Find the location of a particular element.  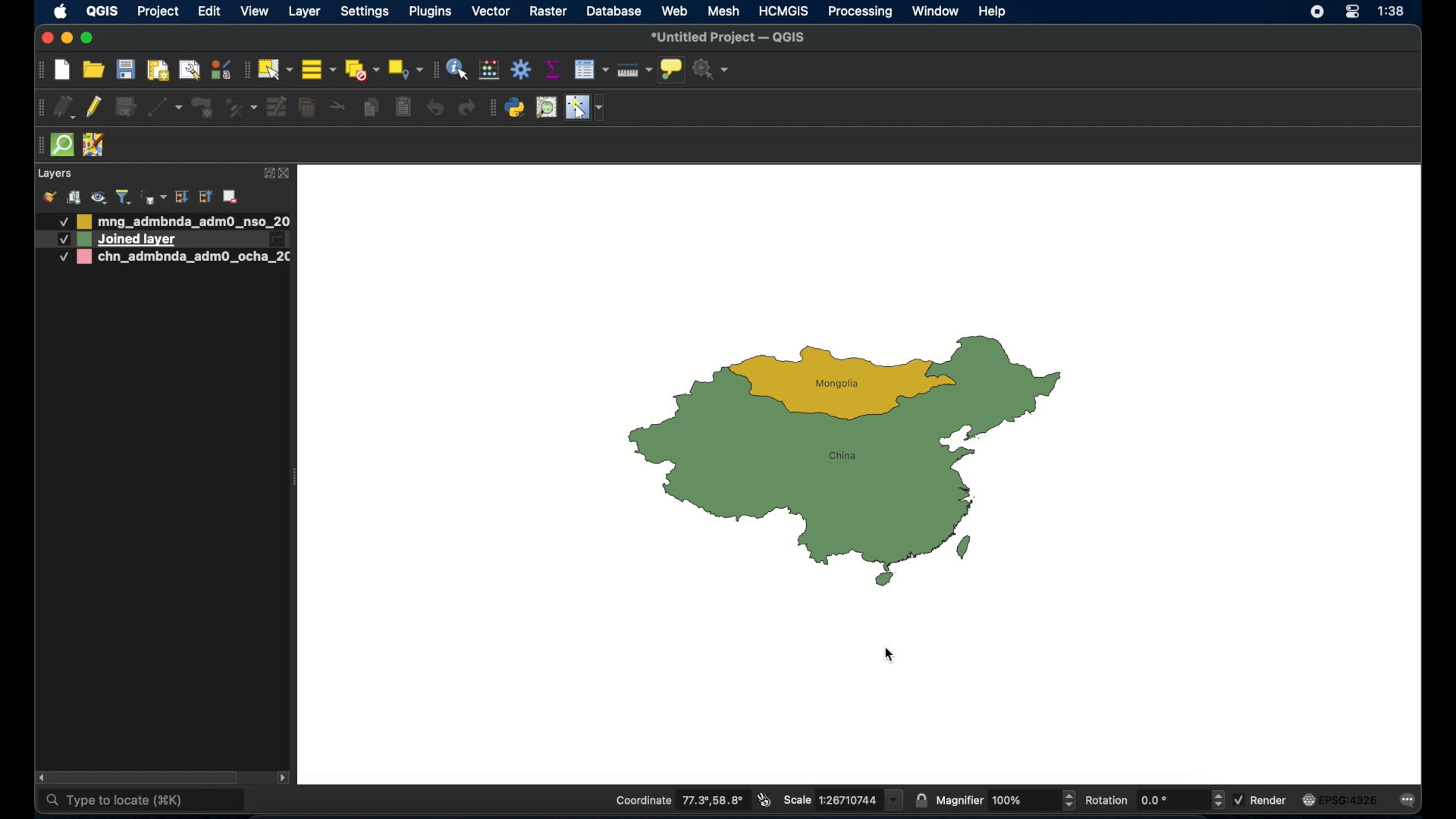

HCMGIS is located at coordinates (783, 11).